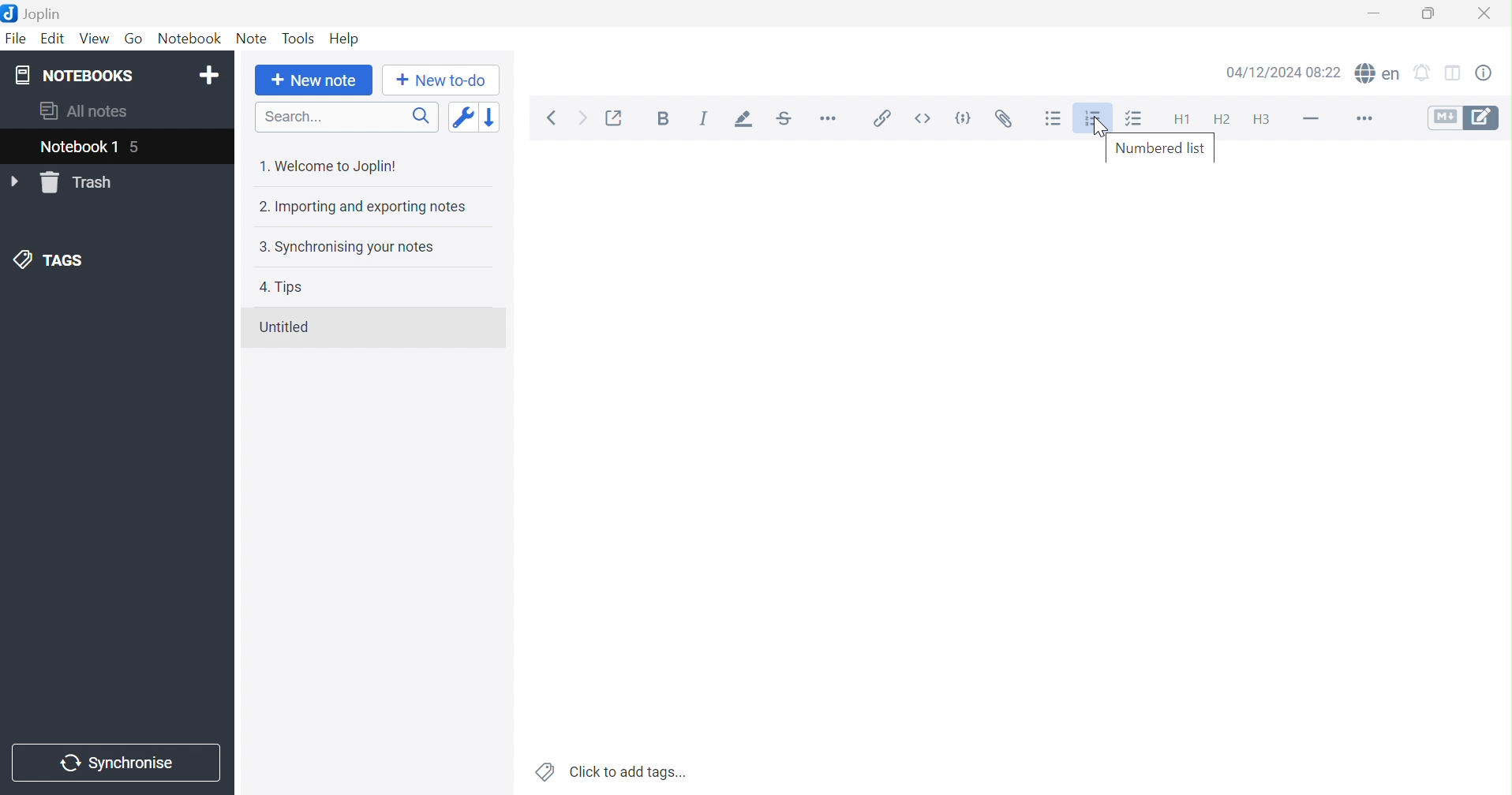 This screenshot has height=795, width=1512. Describe the element at coordinates (298, 38) in the screenshot. I see `Tools` at that location.